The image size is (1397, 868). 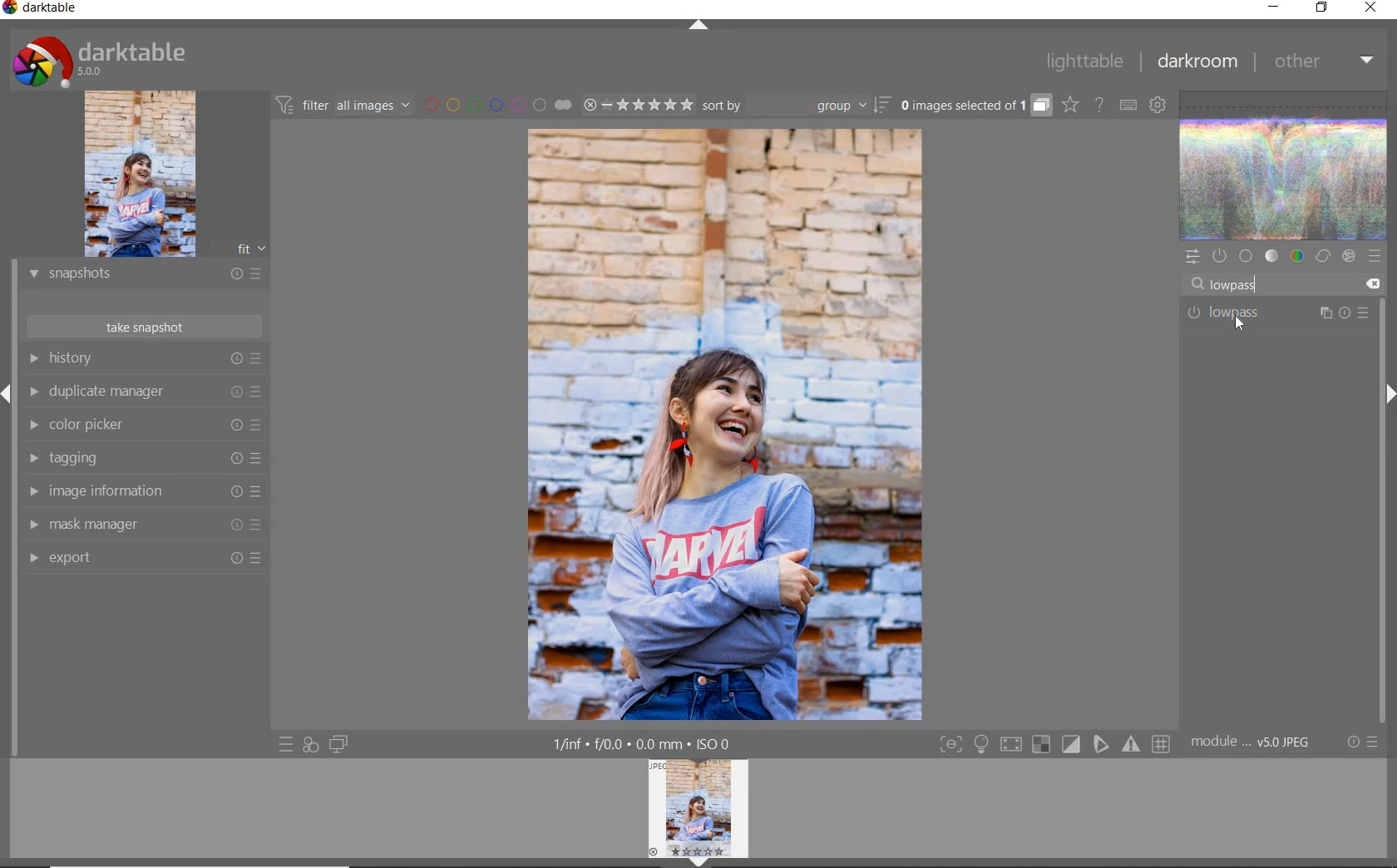 What do you see at coordinates (1346, 257) in the screenshot?
I see `effect` at bounding box center [1346, 257].